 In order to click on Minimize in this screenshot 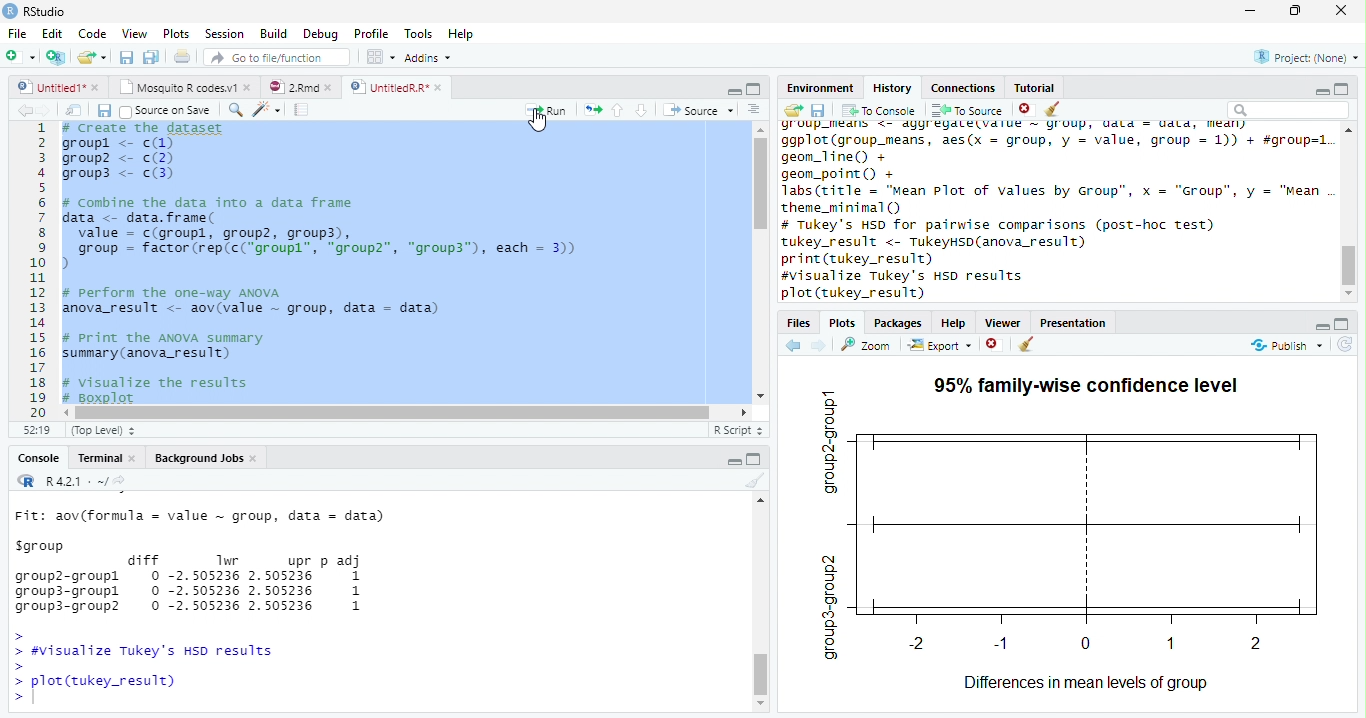, I will do `click(731, 90)`.